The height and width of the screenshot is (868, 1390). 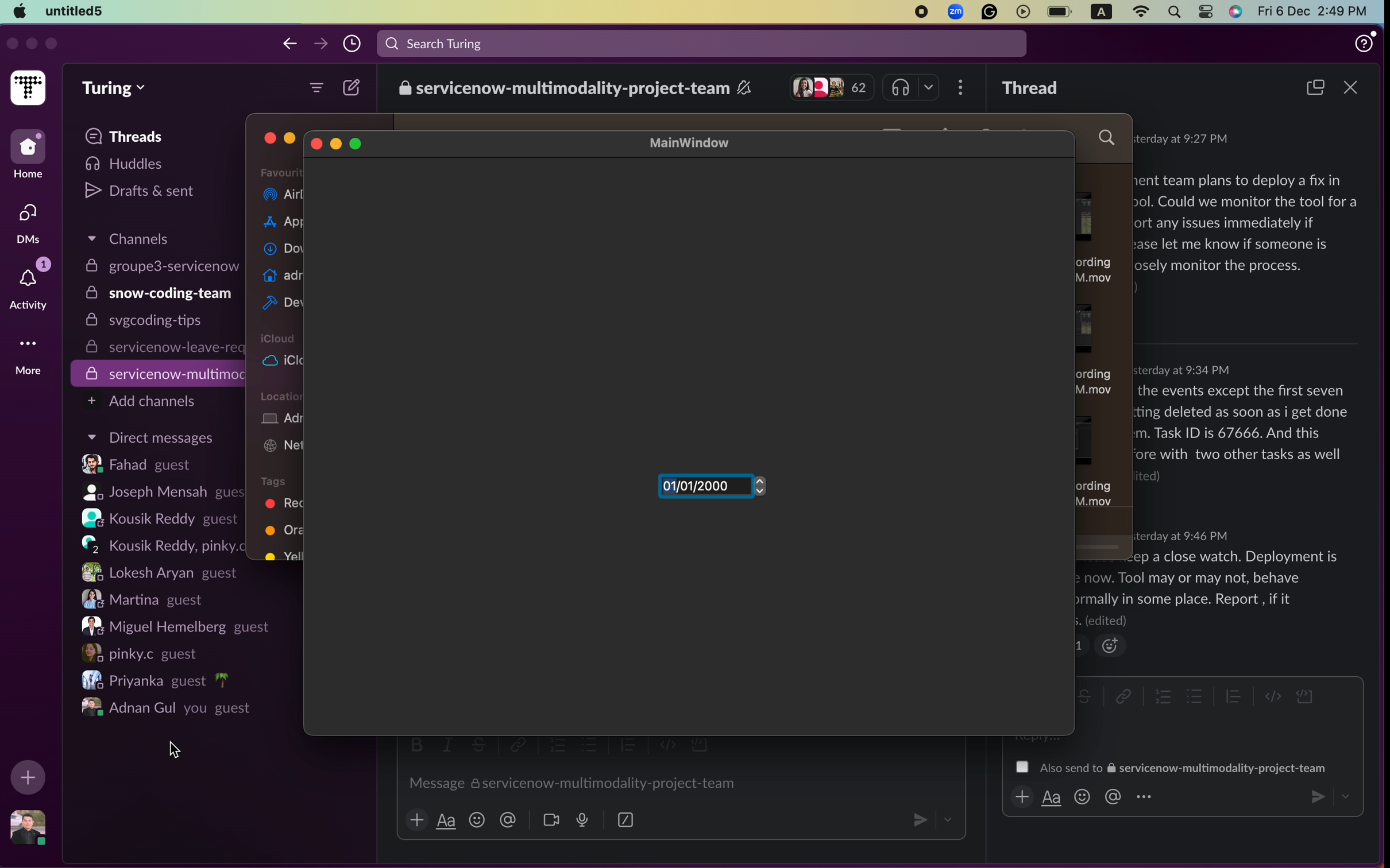 What do you see at coordinates (318, 86) in the screenshot?
I see `menu` at bounding box center [318, 86].